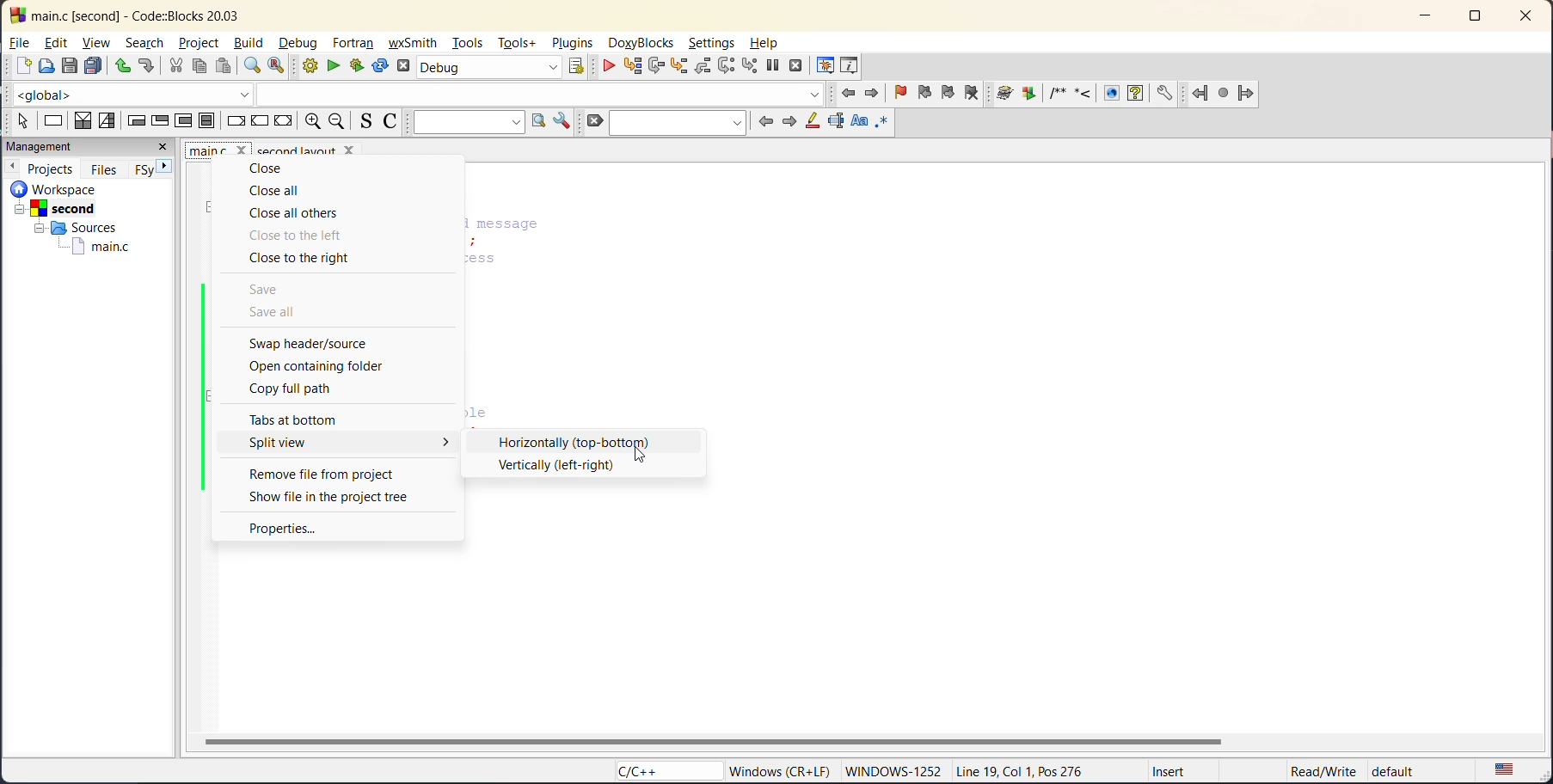 Image resolution: width=1553 pixels, height=784 pixels. I want to click on abort, so click(401, 67).